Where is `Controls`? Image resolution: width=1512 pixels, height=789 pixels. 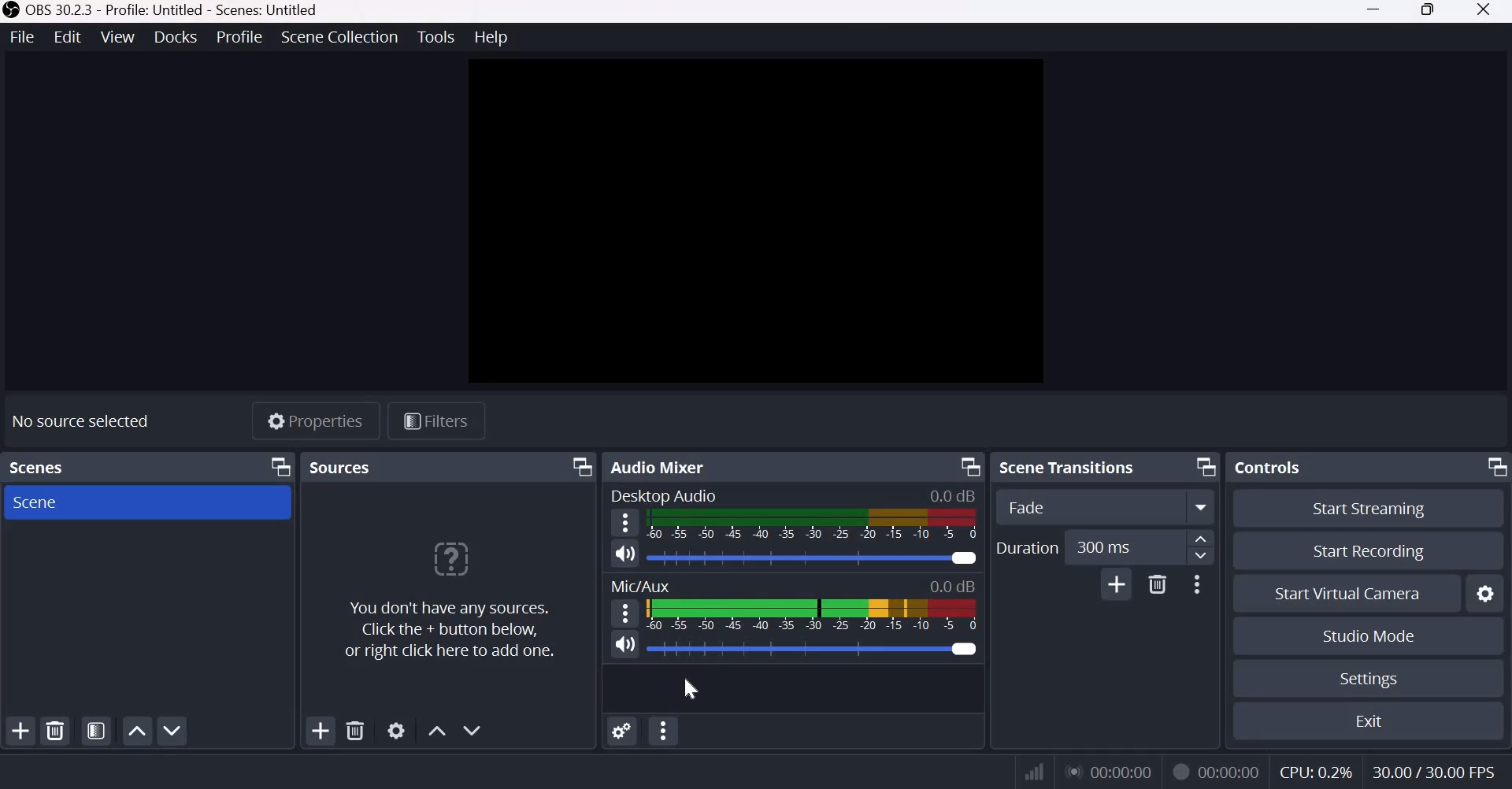
Controls is located at coordinates (1268, 467).